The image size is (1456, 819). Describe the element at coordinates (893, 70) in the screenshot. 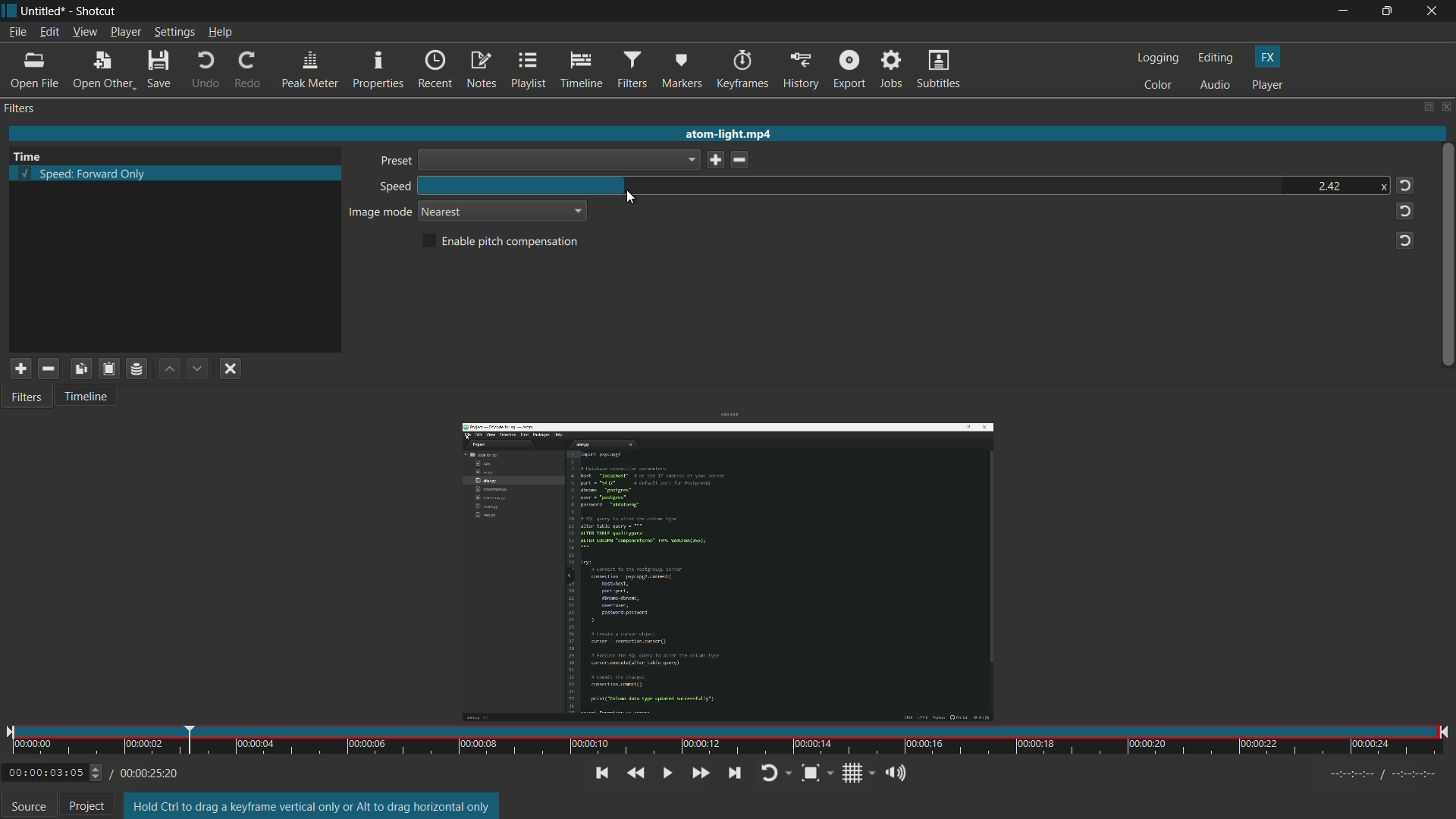

I see `jobs` at that location.